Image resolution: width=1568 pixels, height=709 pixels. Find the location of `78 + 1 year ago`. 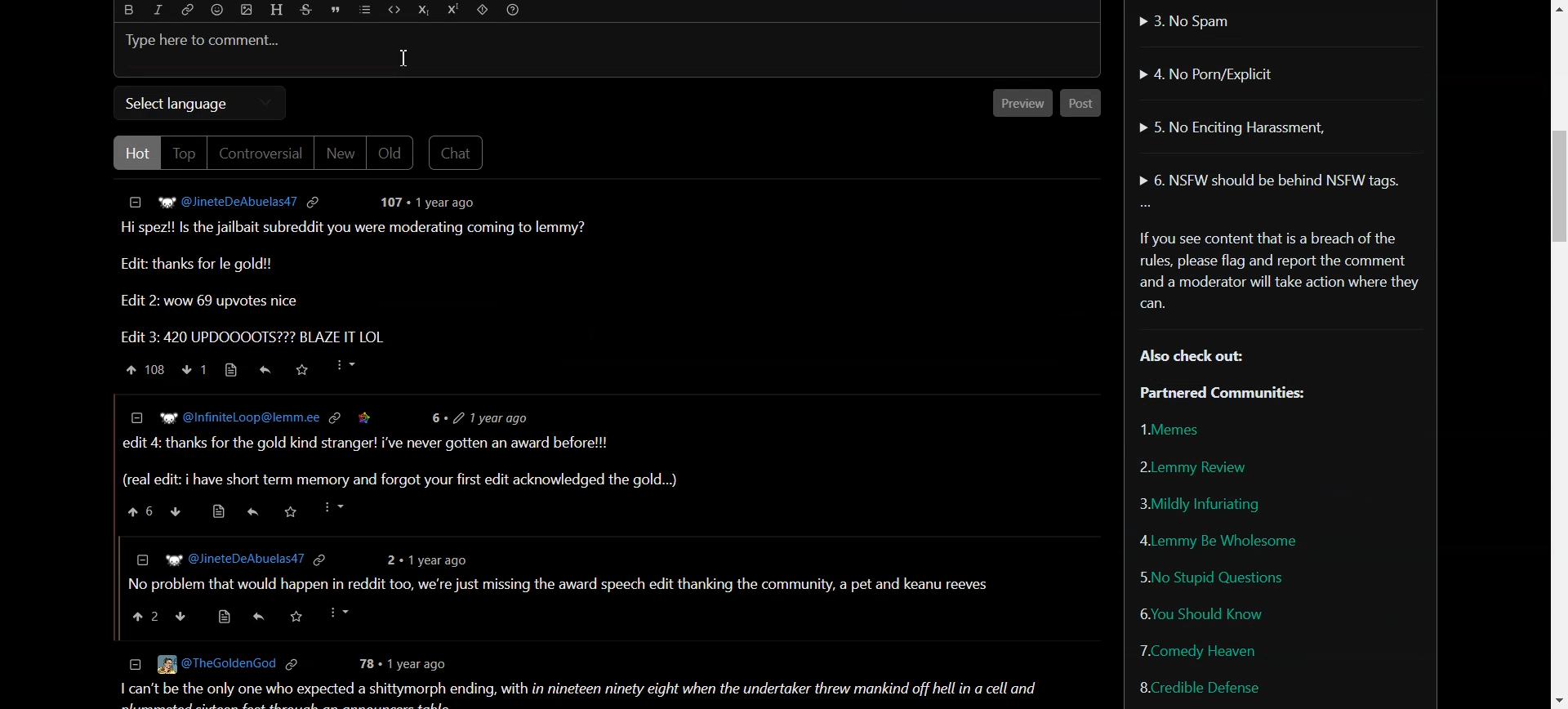

78 + 1 year ago is located at coordinates (395, 664).